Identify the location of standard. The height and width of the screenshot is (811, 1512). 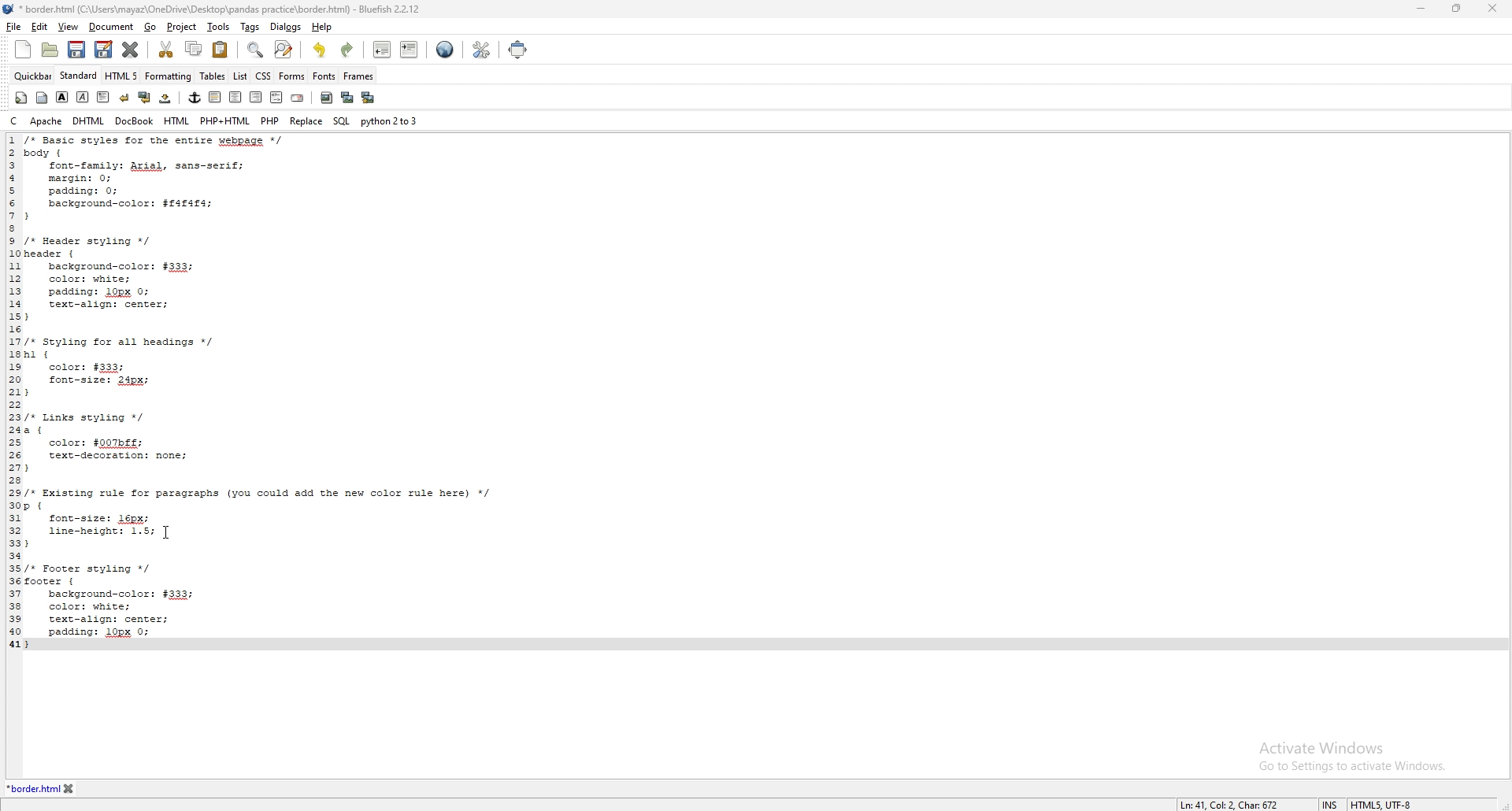
(79, 75).